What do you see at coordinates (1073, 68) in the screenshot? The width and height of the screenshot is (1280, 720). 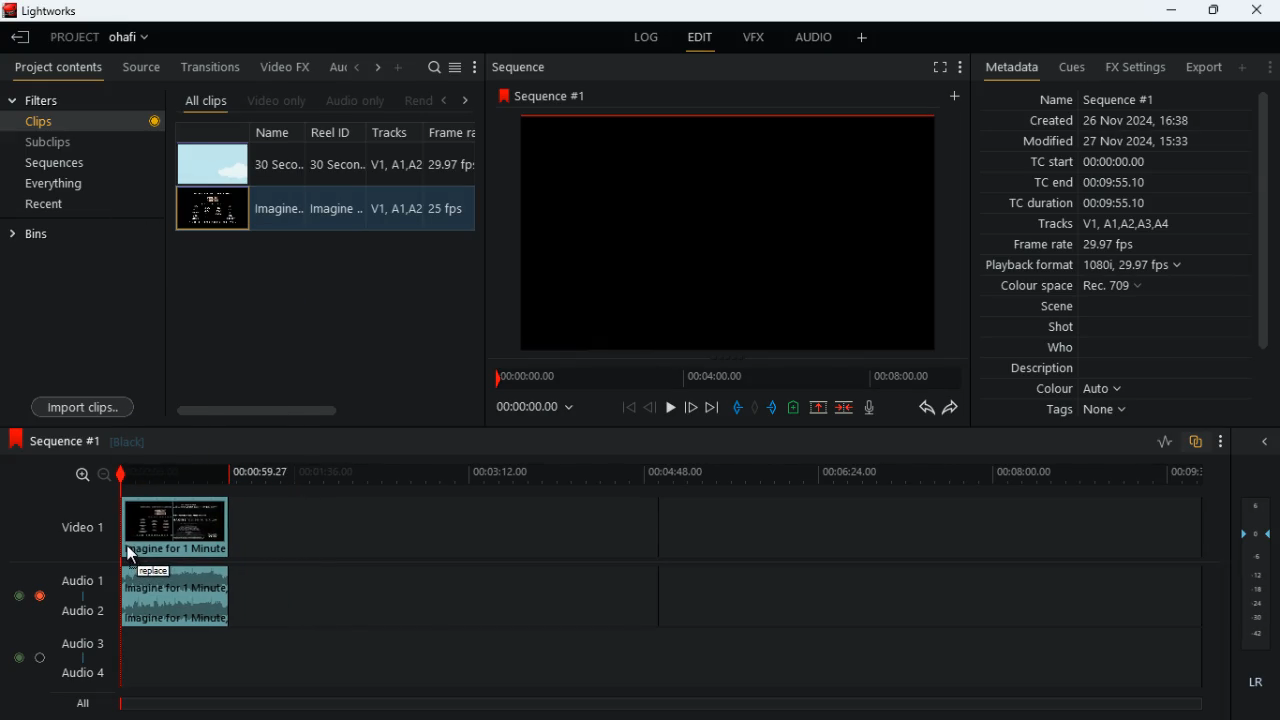 I see `cues` at bounding box center [1073, 68].